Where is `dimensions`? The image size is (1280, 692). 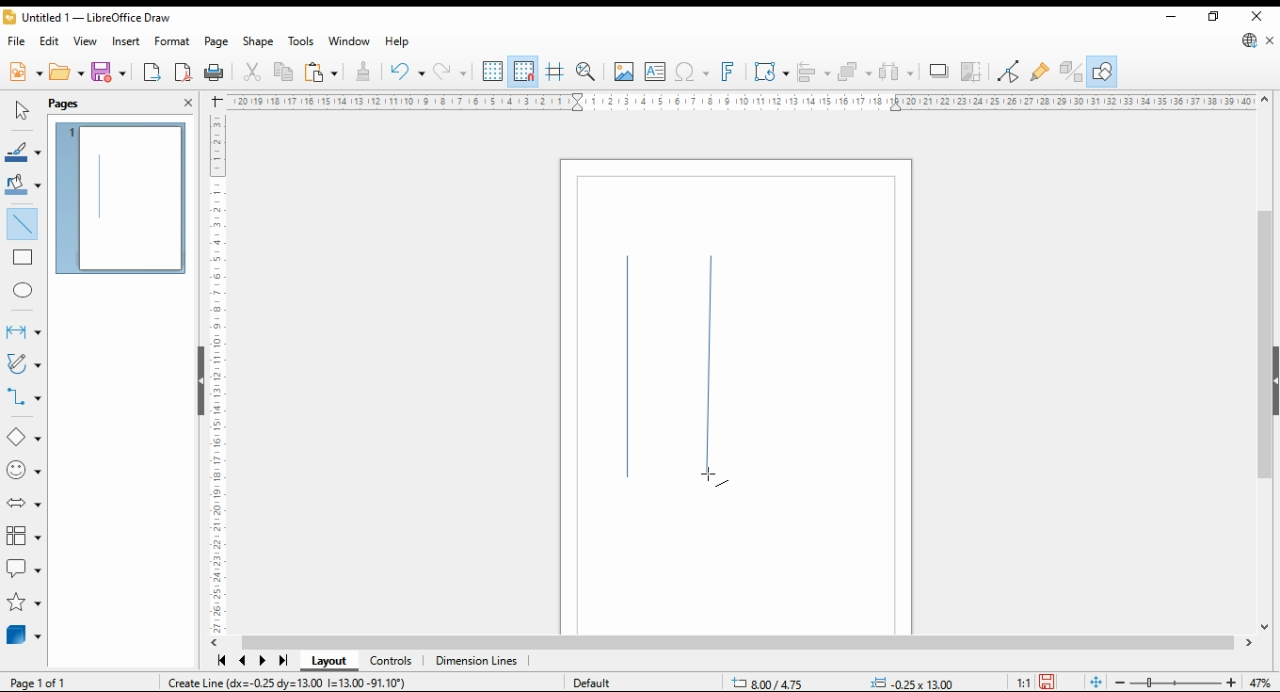 dimensions is located at coordinates (477, 661).